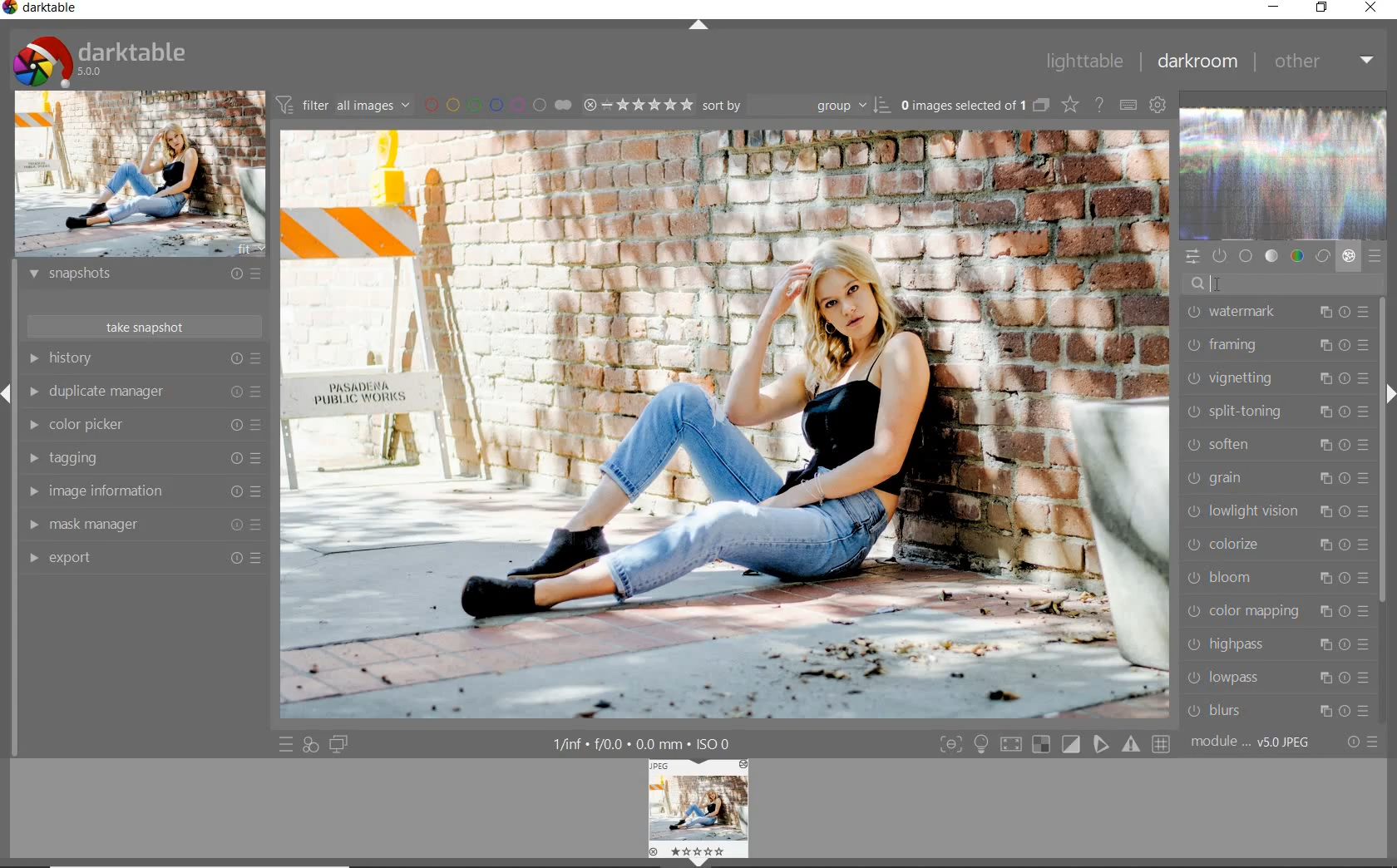 This screenshot has height=868, width=1397. I want to click on set keyboard shortcuts, so click(1128, 106).